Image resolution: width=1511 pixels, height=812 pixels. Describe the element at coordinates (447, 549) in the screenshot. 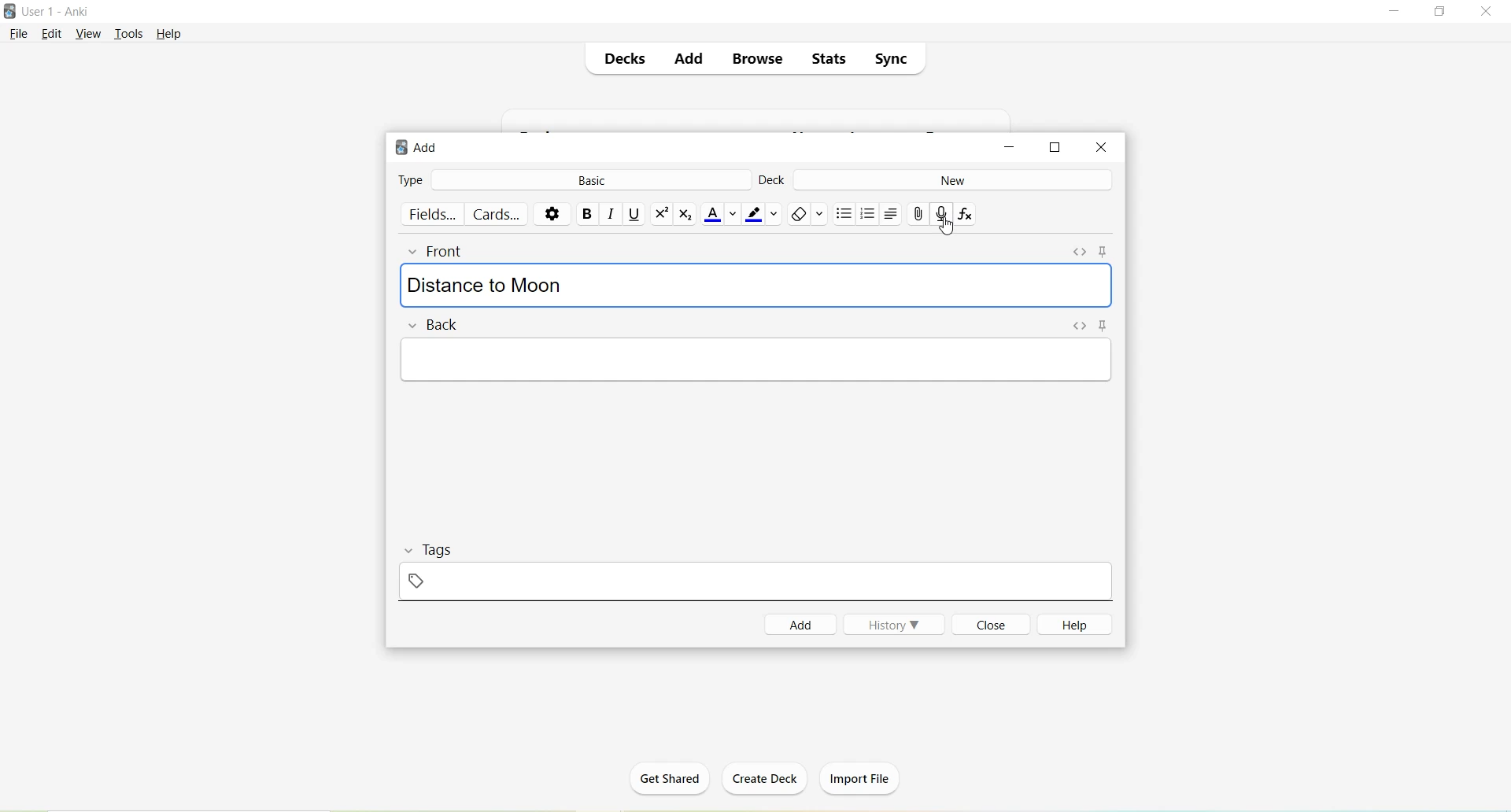

I see `Tags` at that location.